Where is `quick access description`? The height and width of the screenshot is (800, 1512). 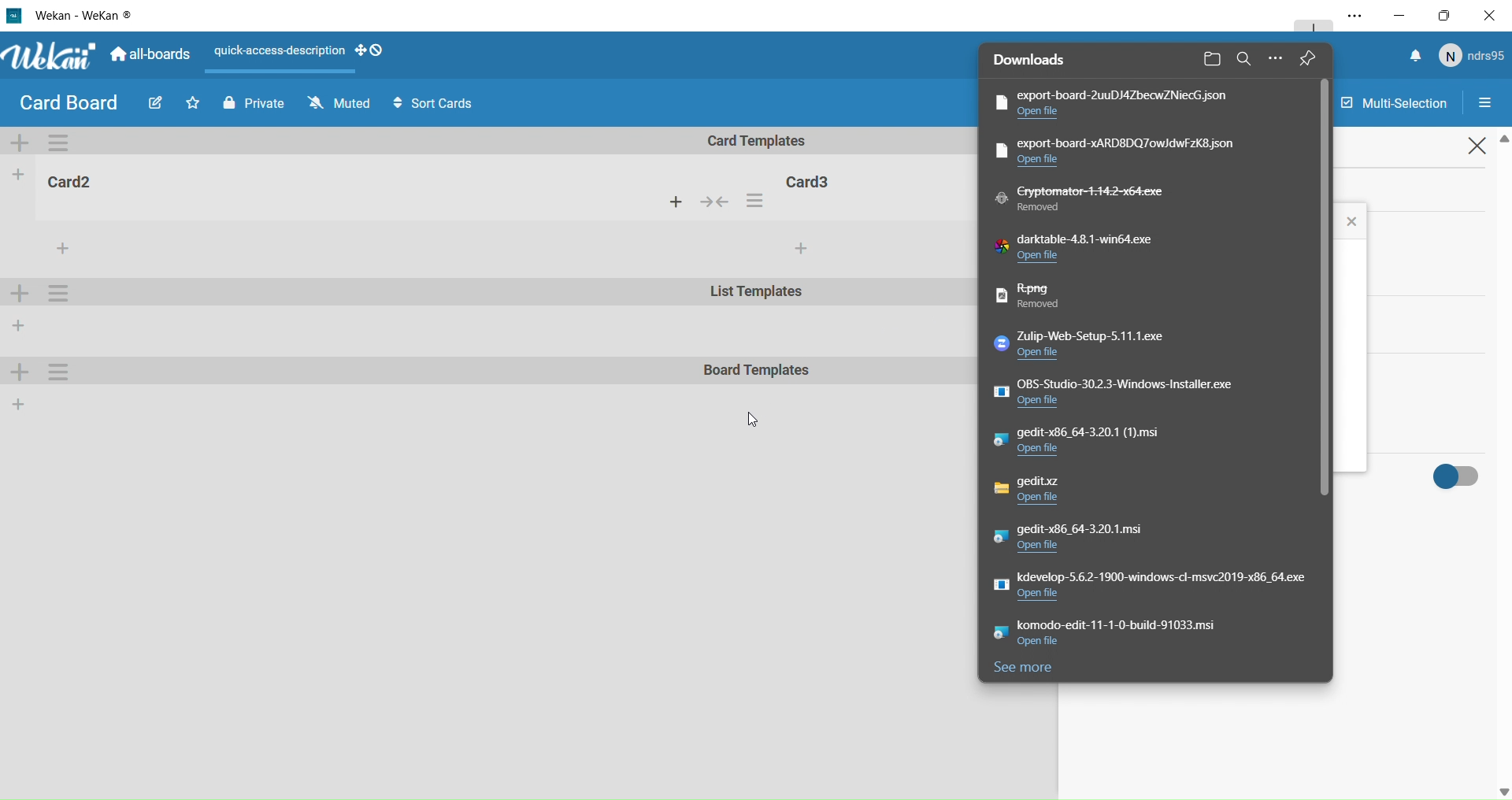 quick access description is located at coordinates (277, 51).